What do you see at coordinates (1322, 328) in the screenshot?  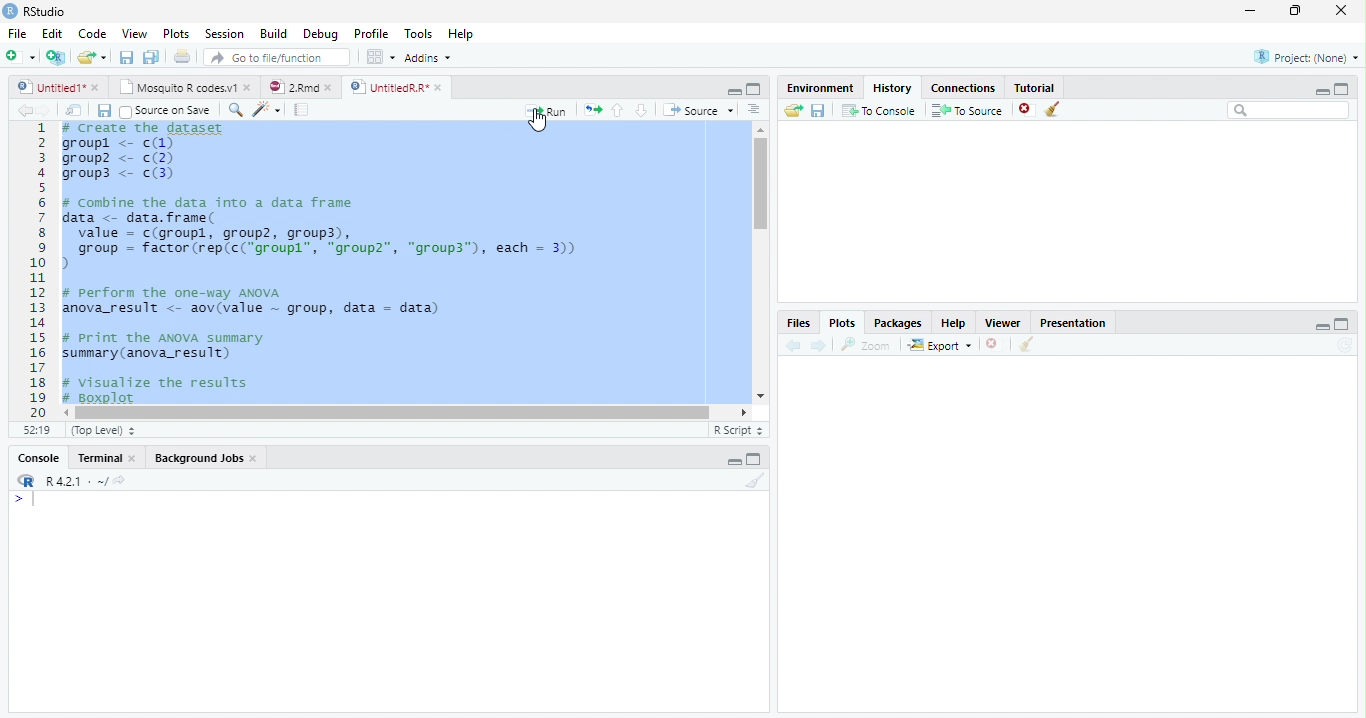 I see `Minimize` at bounding box center [1322, 328].